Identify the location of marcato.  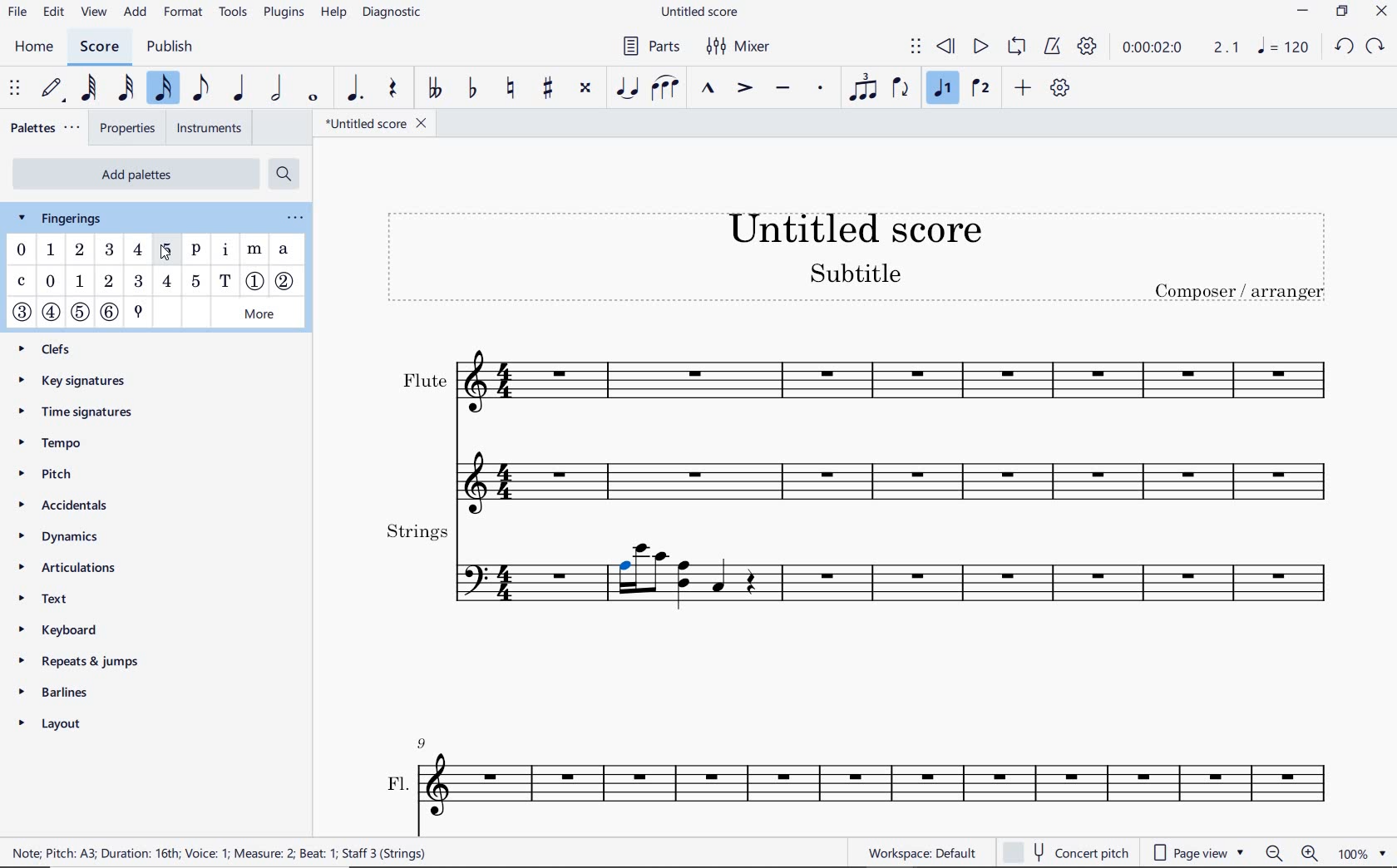
(710, 91).